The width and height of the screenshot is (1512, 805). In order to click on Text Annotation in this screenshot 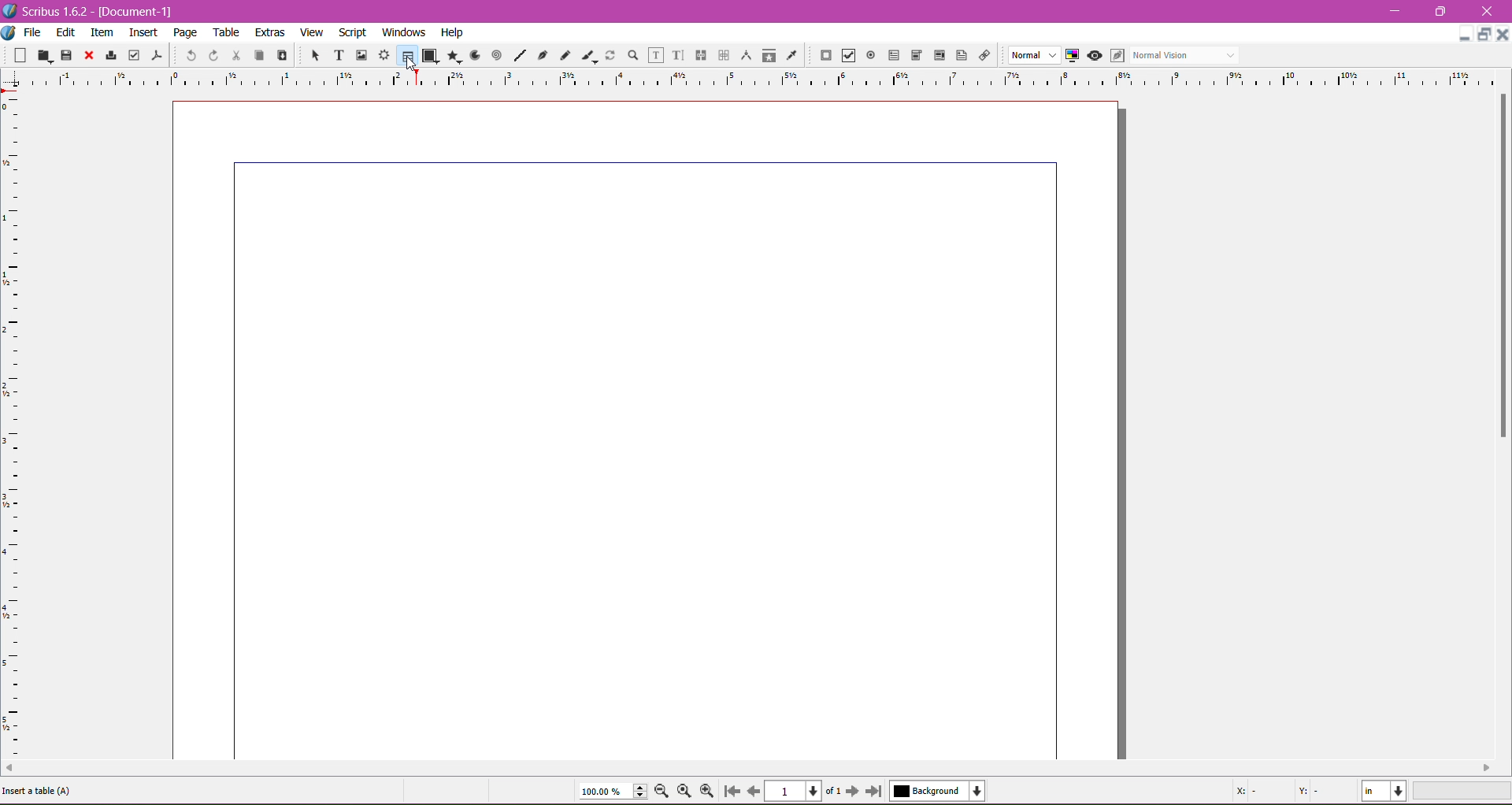, I will do `click(959, 53)`.